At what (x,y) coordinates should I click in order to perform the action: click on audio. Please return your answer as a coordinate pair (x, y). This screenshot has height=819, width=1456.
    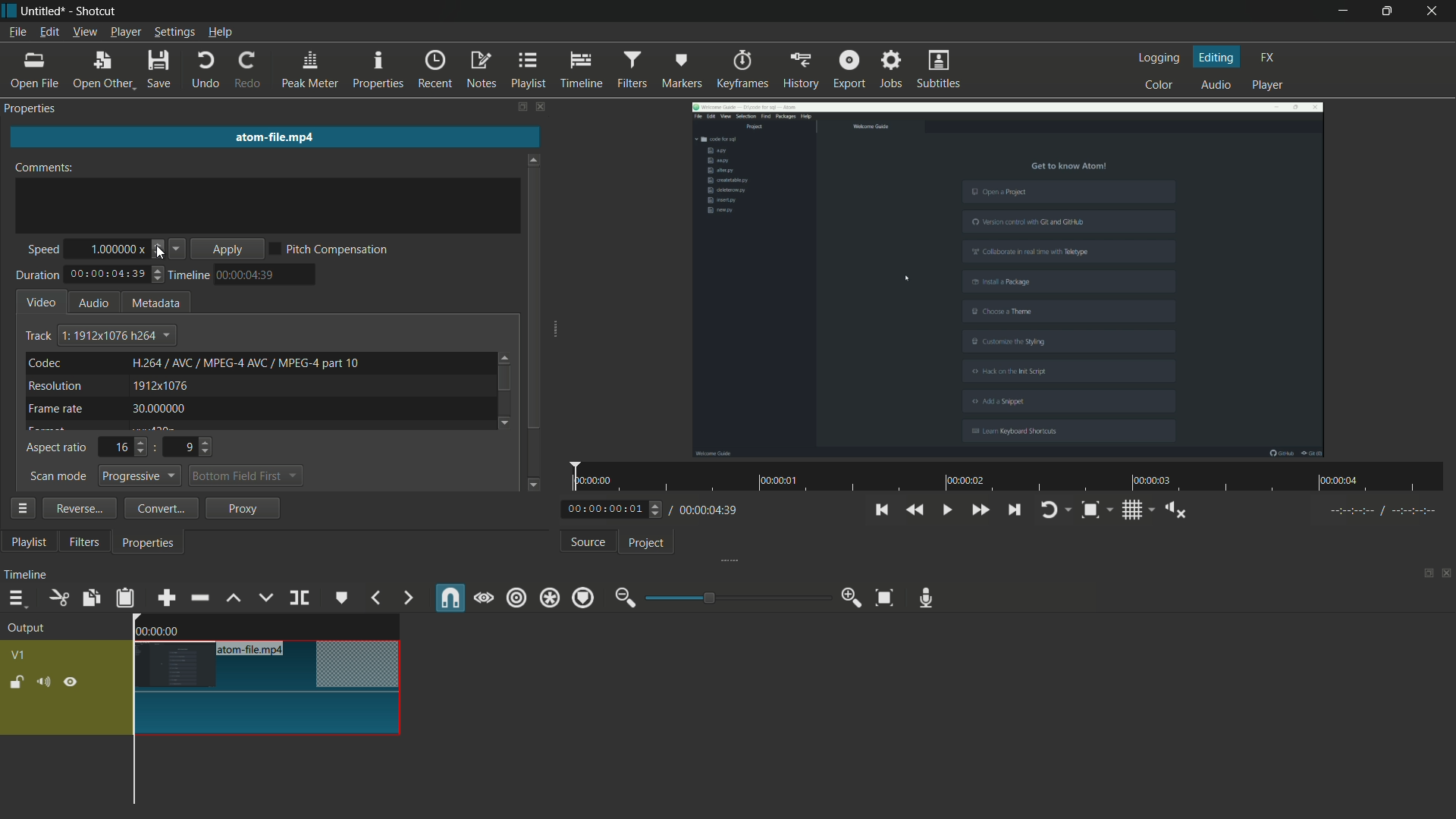
    Looking at the image, I should click on (93, 303).